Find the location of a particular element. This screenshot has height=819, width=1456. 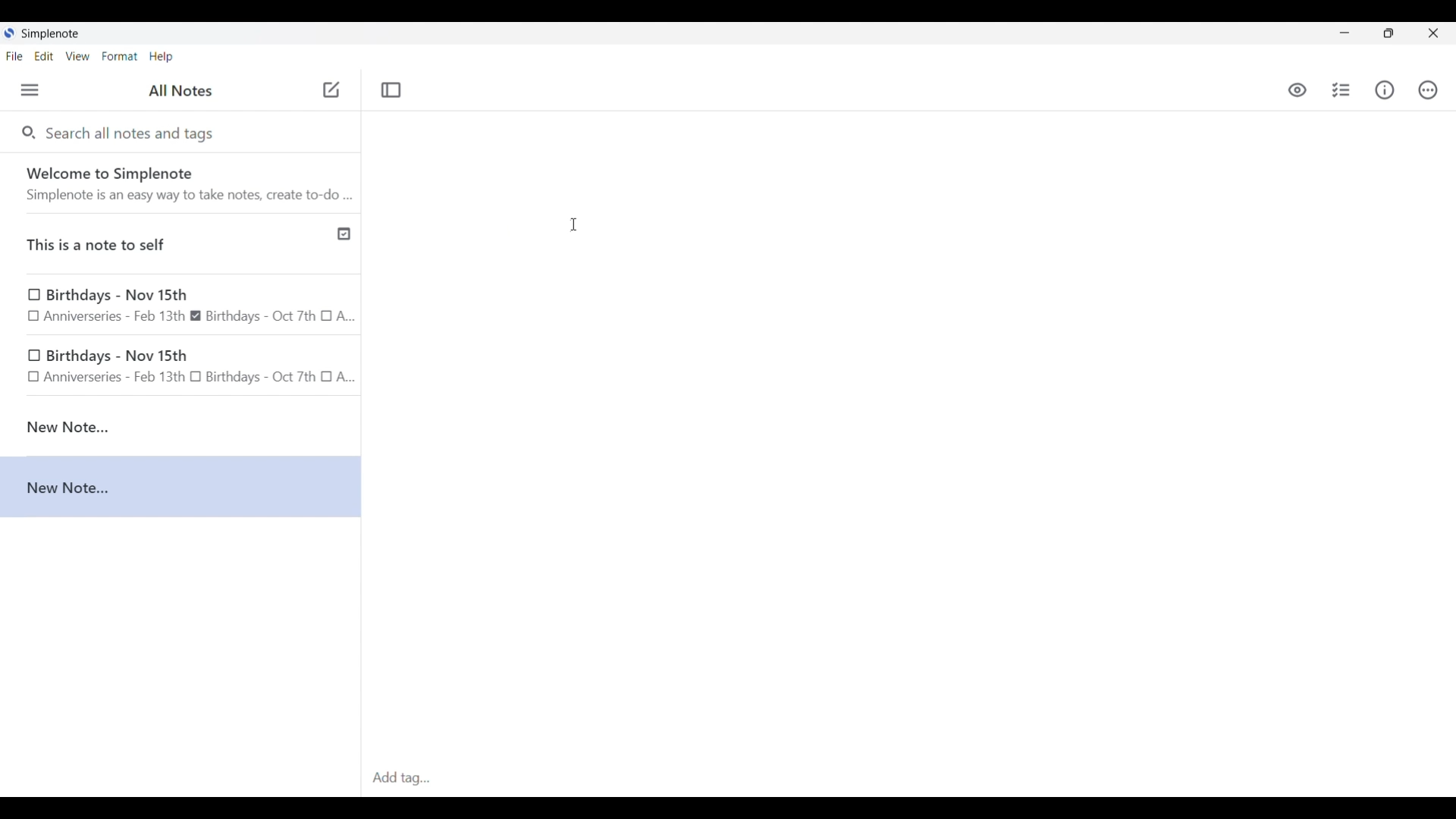

Minimize is located at coordinates (1345, 33).